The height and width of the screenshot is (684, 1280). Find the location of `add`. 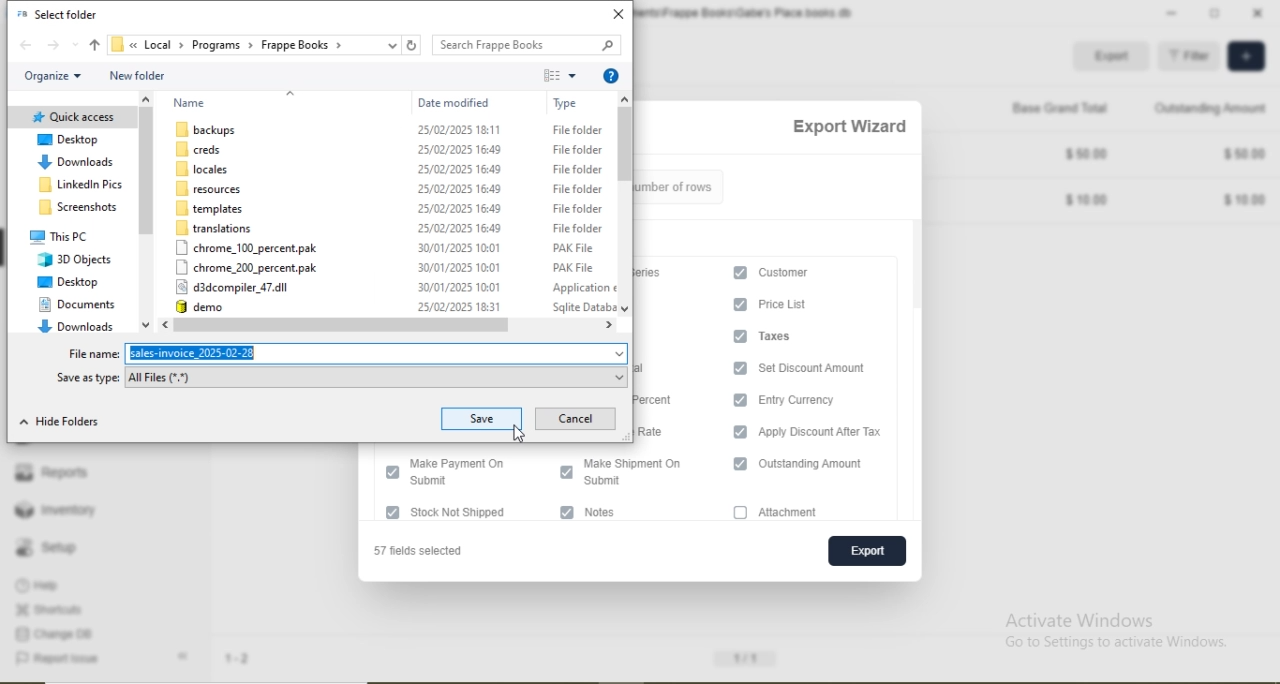

add is located at coordinates (1244, 56).